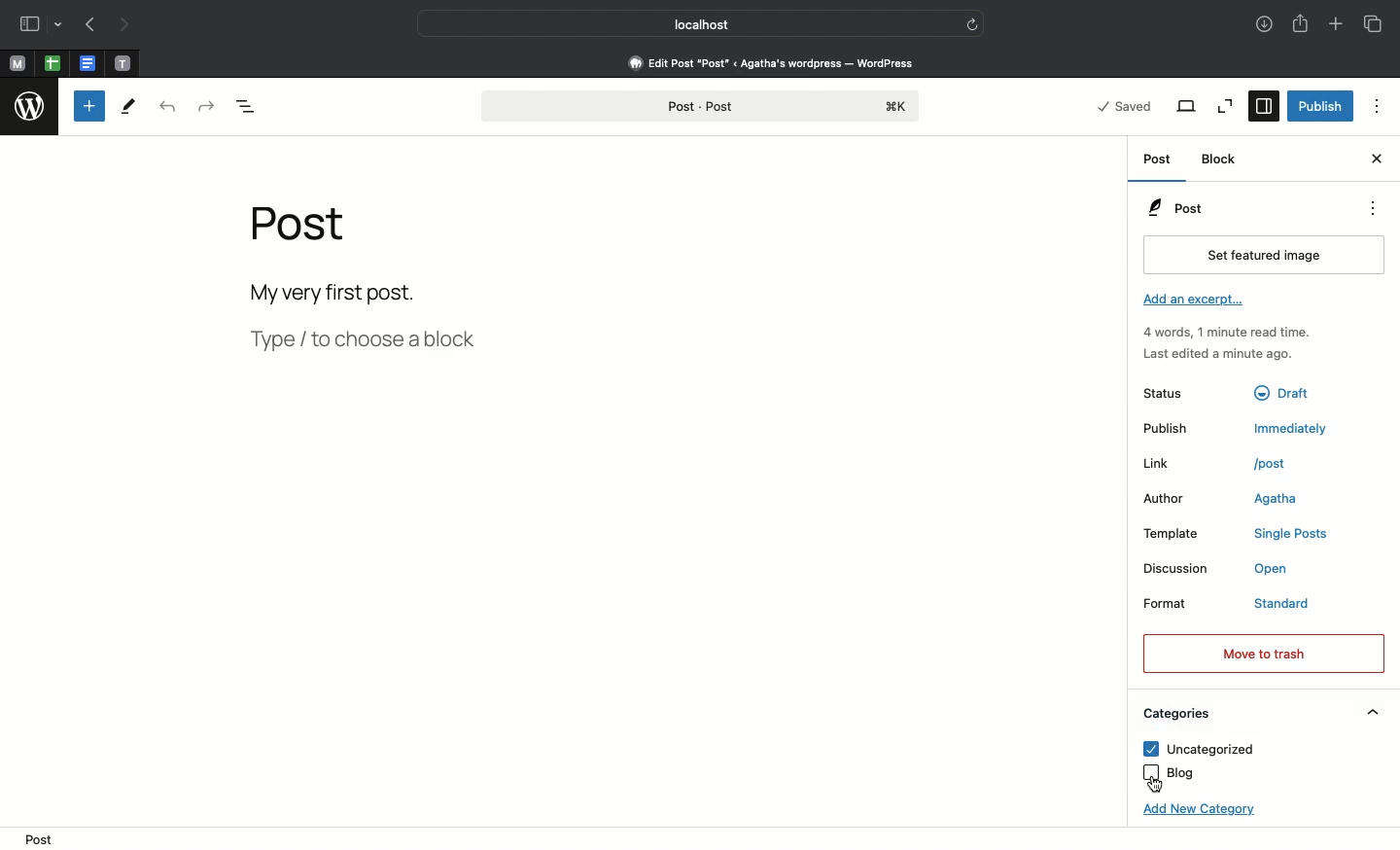 Image resolution: width=1400 pixels, height=850 pixels. I want to click on Add an excerpt, so click(1197, 301).